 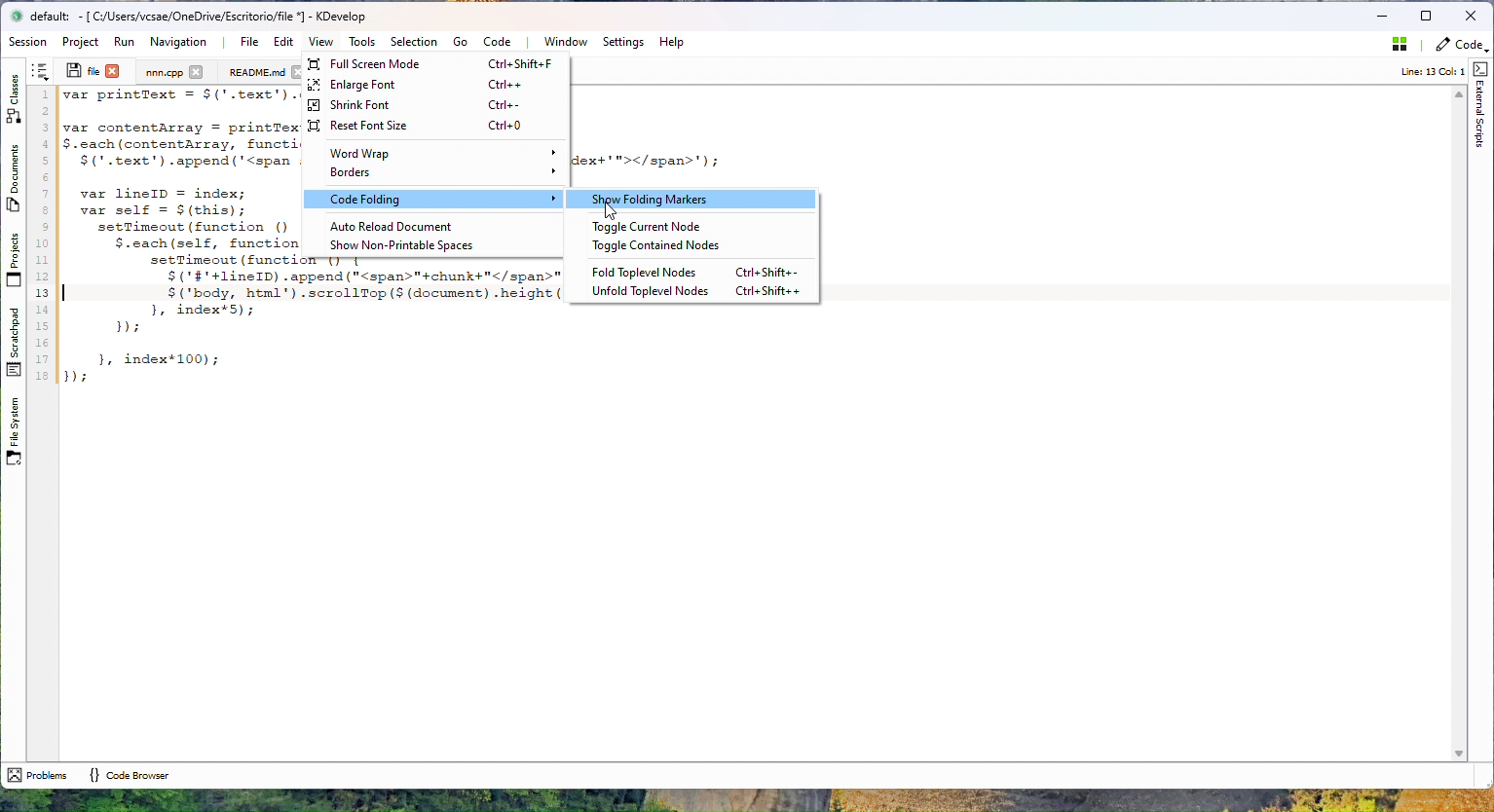 I want to click on Navigation, so click(x=180, y=42).